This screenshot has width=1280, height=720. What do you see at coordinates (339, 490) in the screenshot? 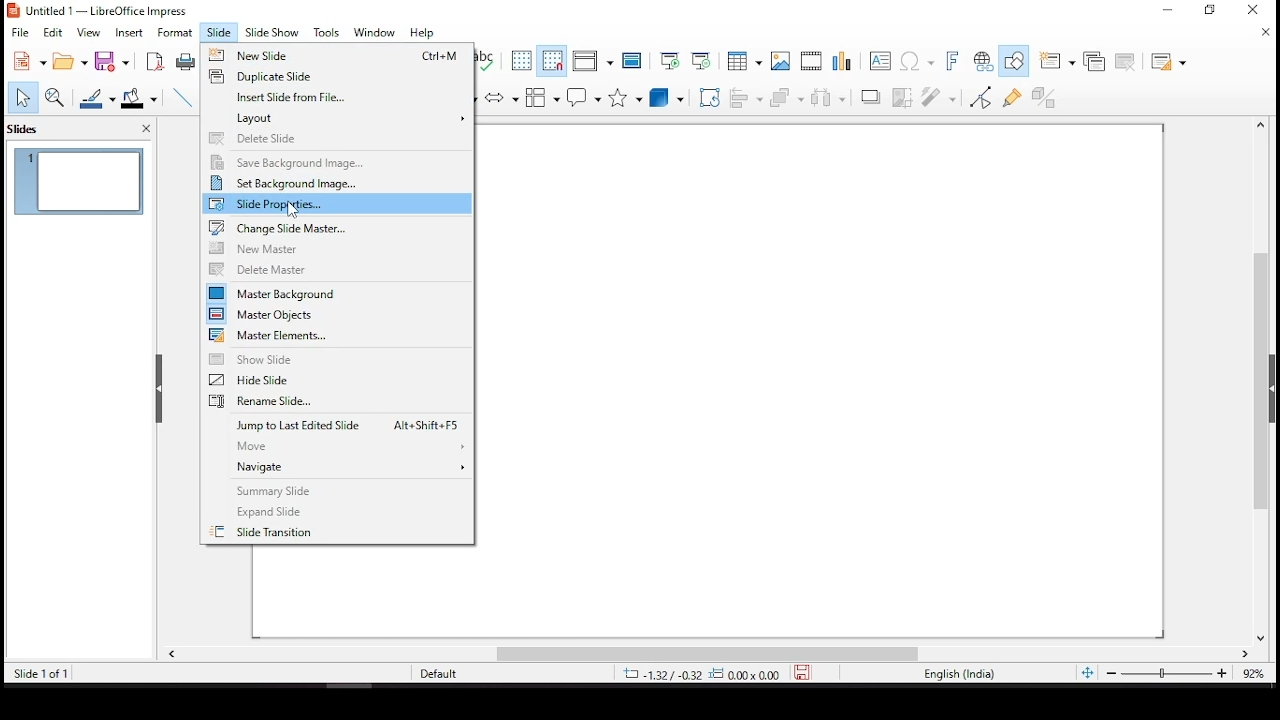
I see `summary slide` at bounding box center [339, 490].